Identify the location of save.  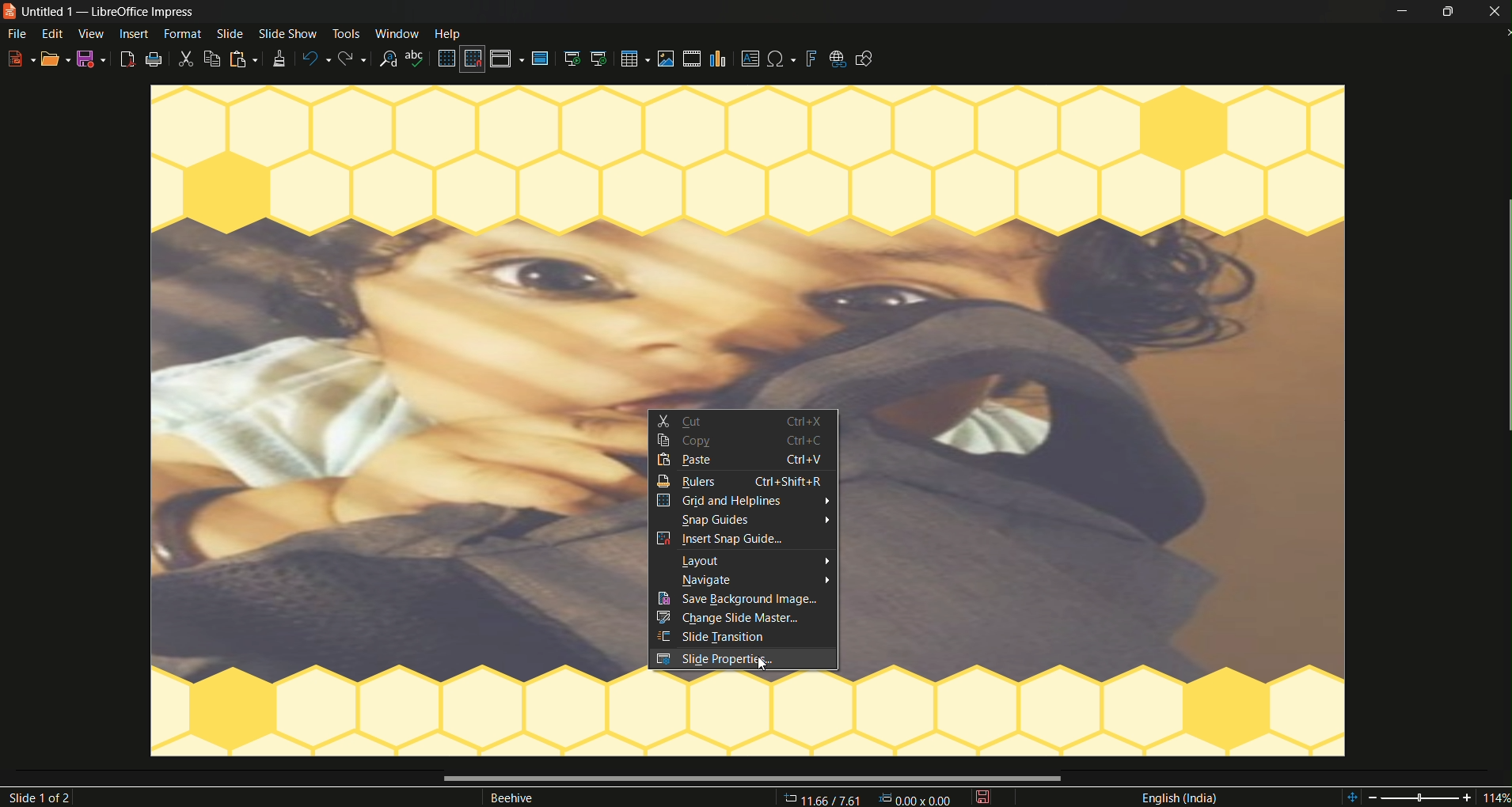
(984, 798).